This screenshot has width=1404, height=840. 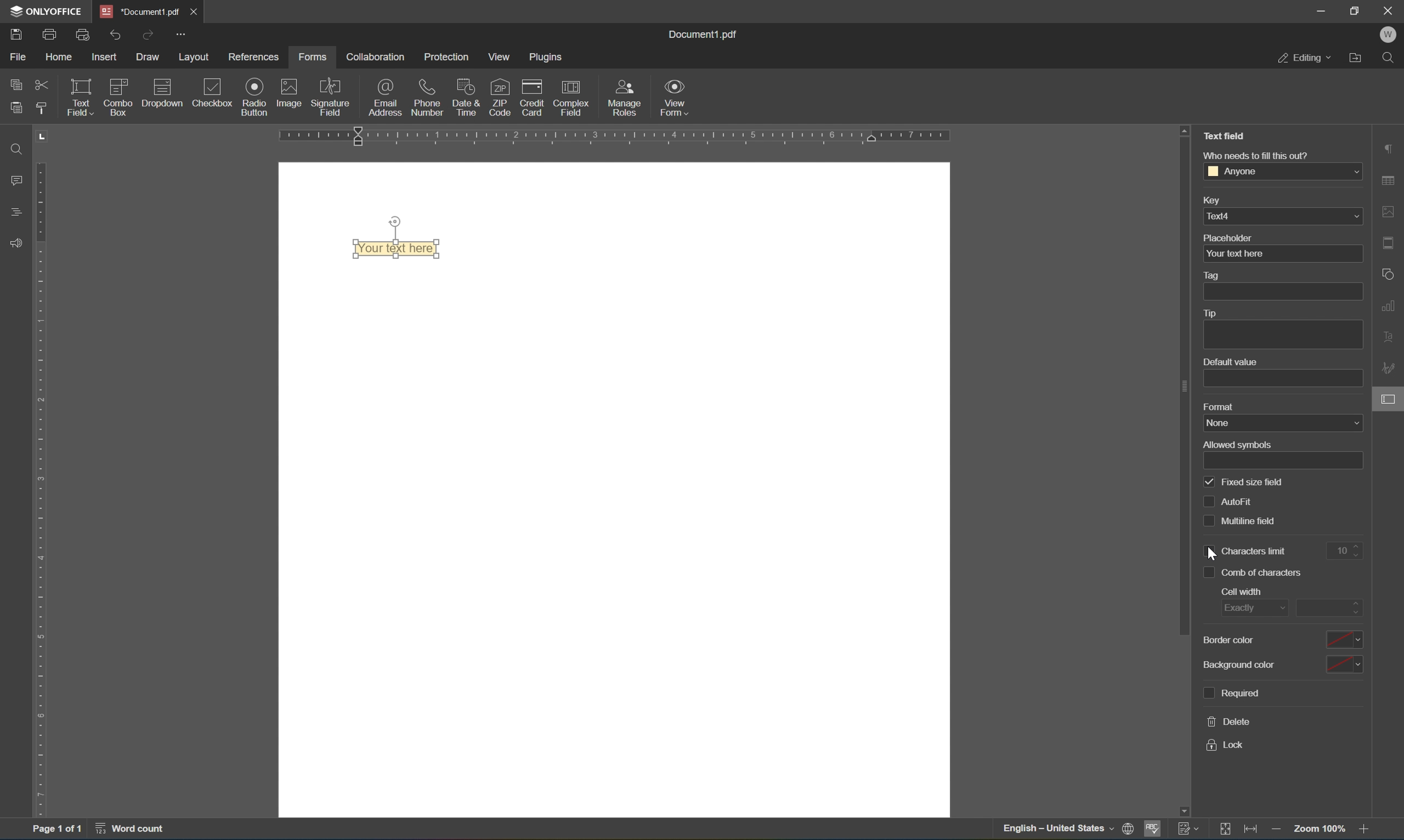 What do you see at coordinates (445, 55) in the screenshot?
I see `protection` at bounding box center [445, 55].